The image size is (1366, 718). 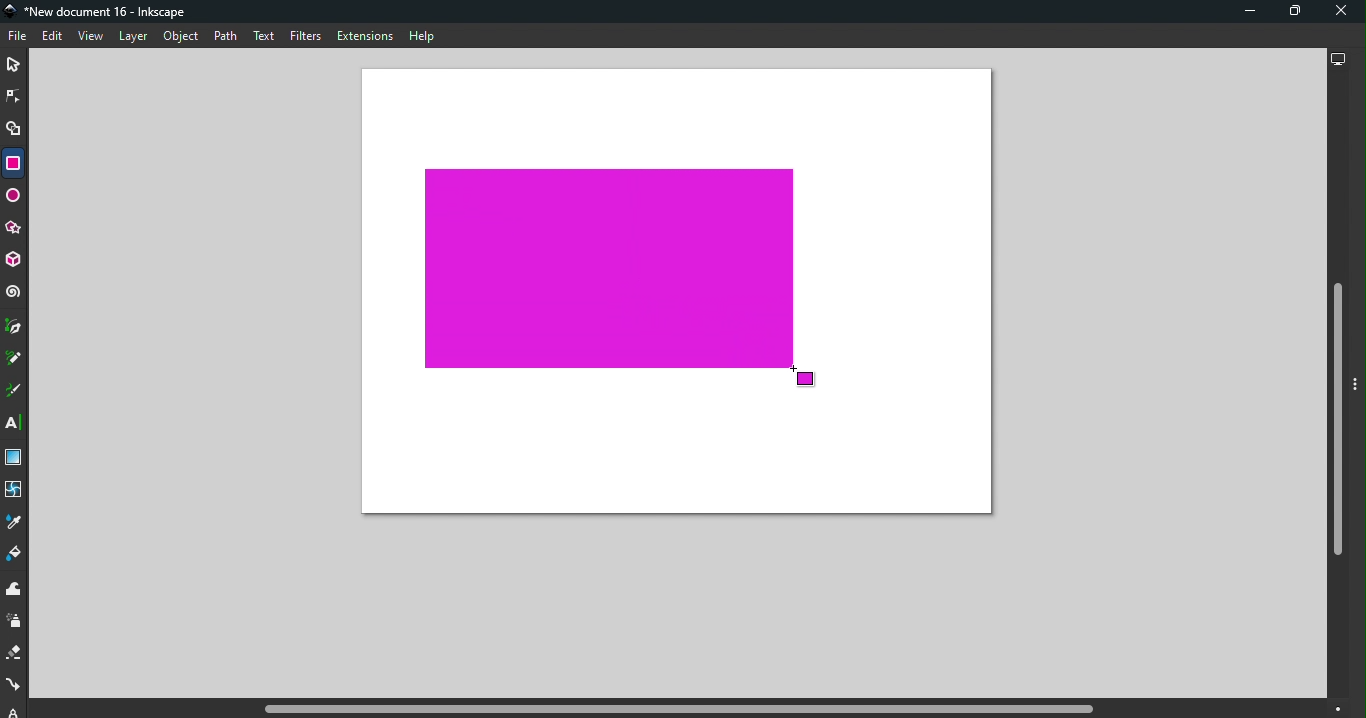 What do you see at coordinates (18, 590) in the screenshot?
I see `Tweak tool` at bounding box center [18, 590].